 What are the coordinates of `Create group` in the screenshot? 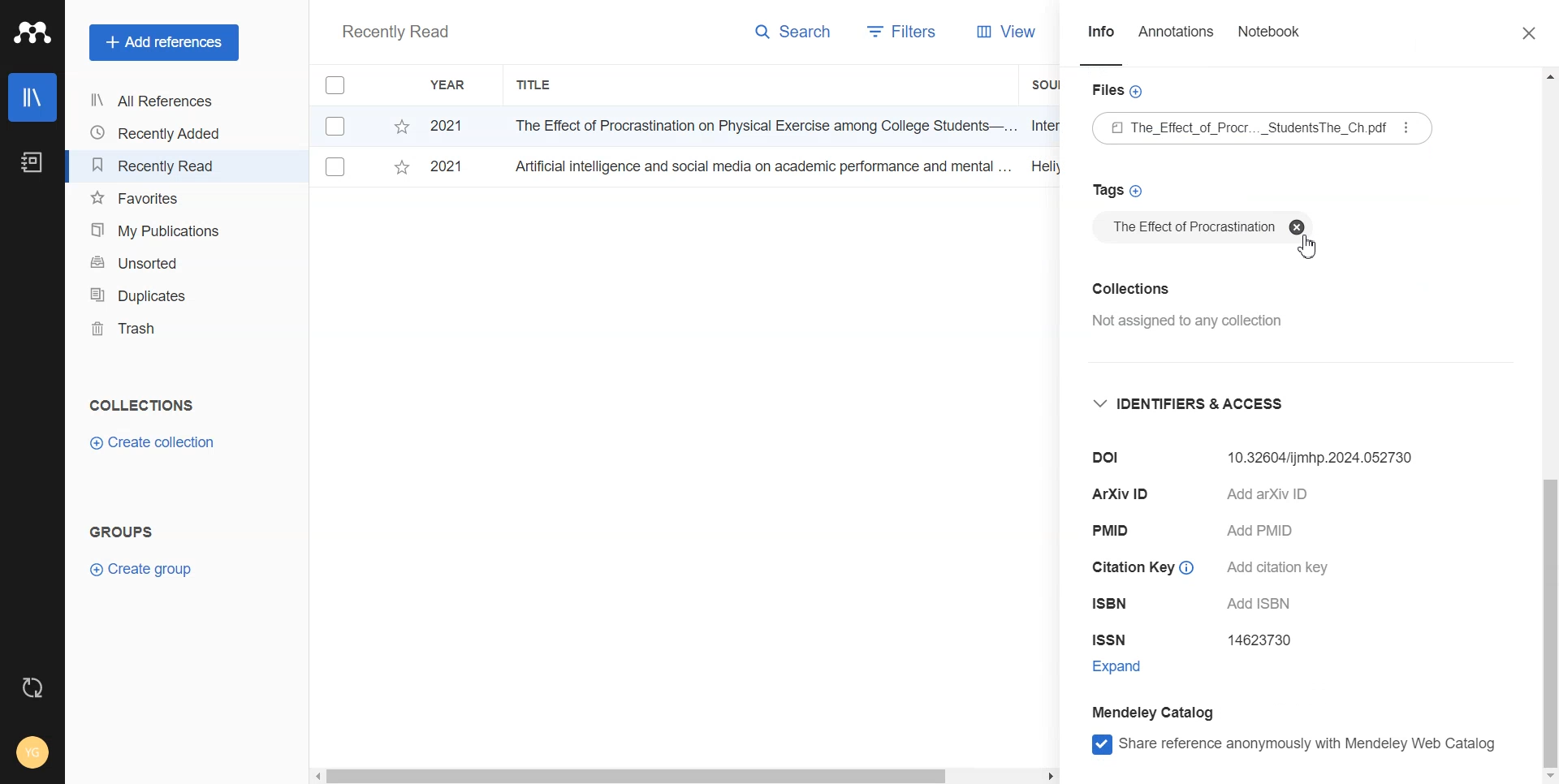 It's located at (142, 567).